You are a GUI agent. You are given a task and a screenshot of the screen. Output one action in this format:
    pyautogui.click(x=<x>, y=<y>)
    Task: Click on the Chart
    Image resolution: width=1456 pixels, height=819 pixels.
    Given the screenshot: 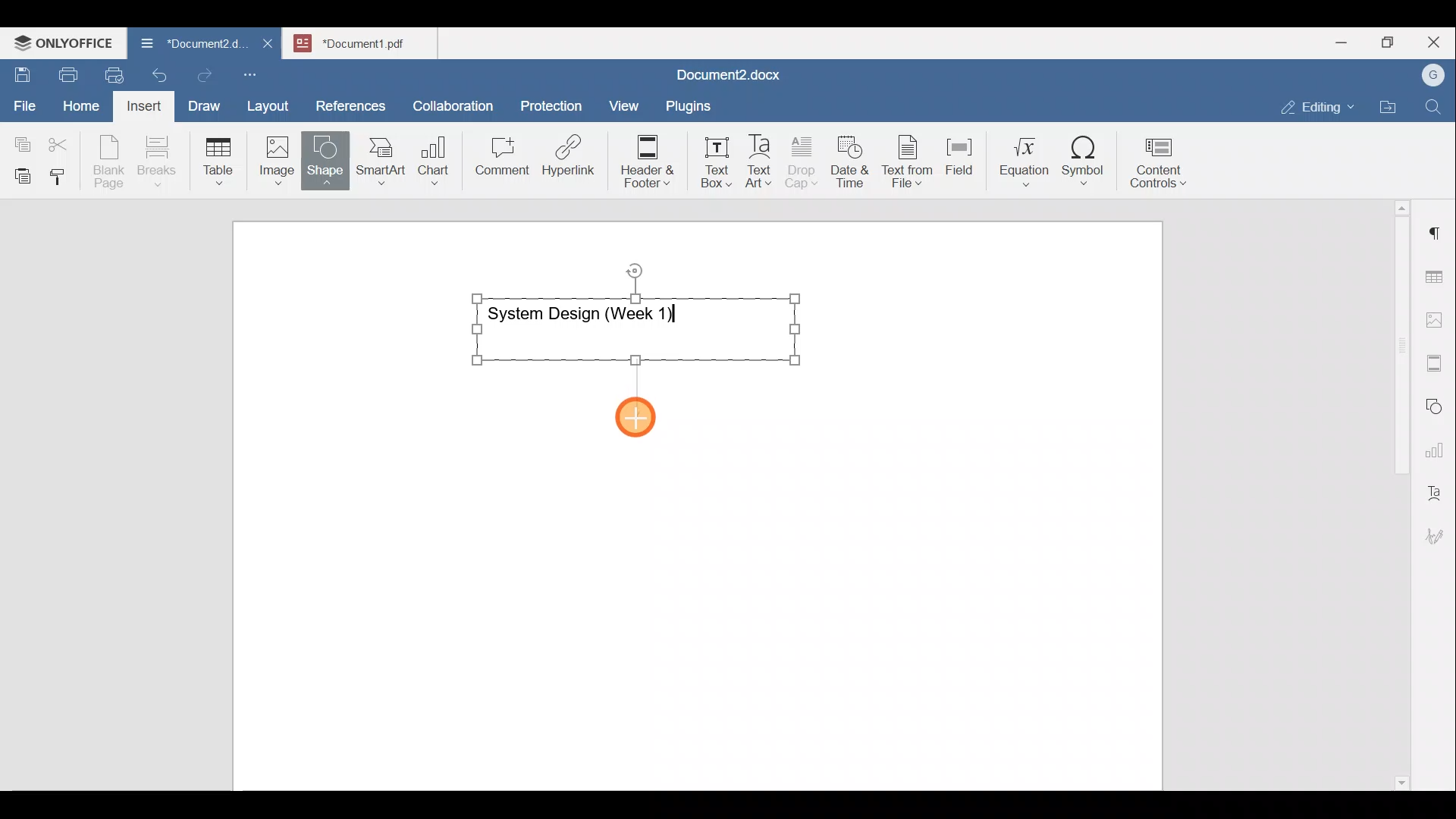 What is the action you would take?
    pyautogui.click(x=431, y=162)
    